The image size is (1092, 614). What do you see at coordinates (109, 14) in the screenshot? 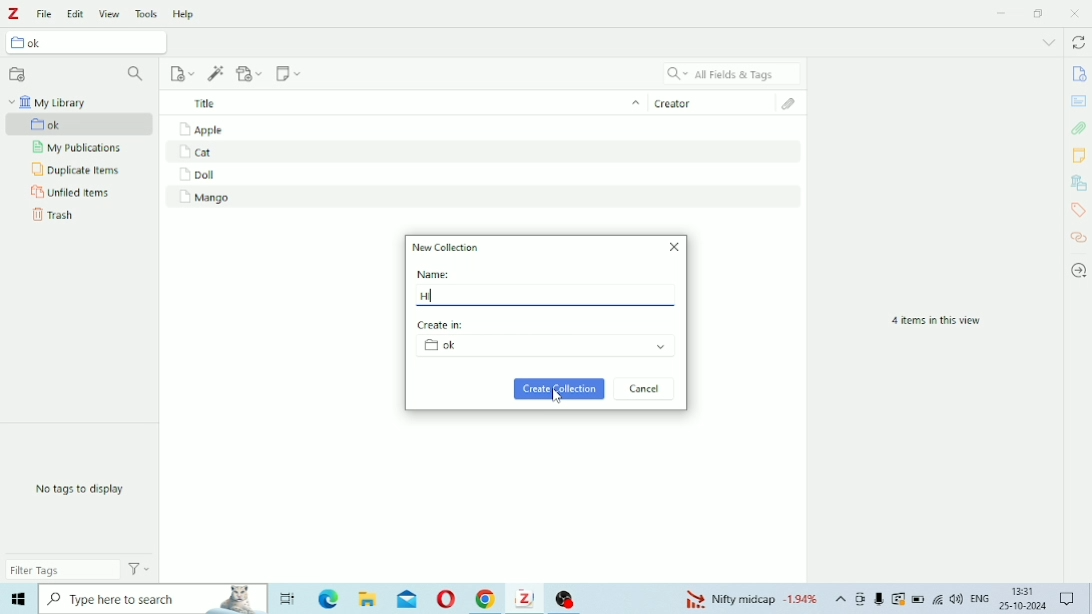
I see `View` at bounding box center [109, 14].